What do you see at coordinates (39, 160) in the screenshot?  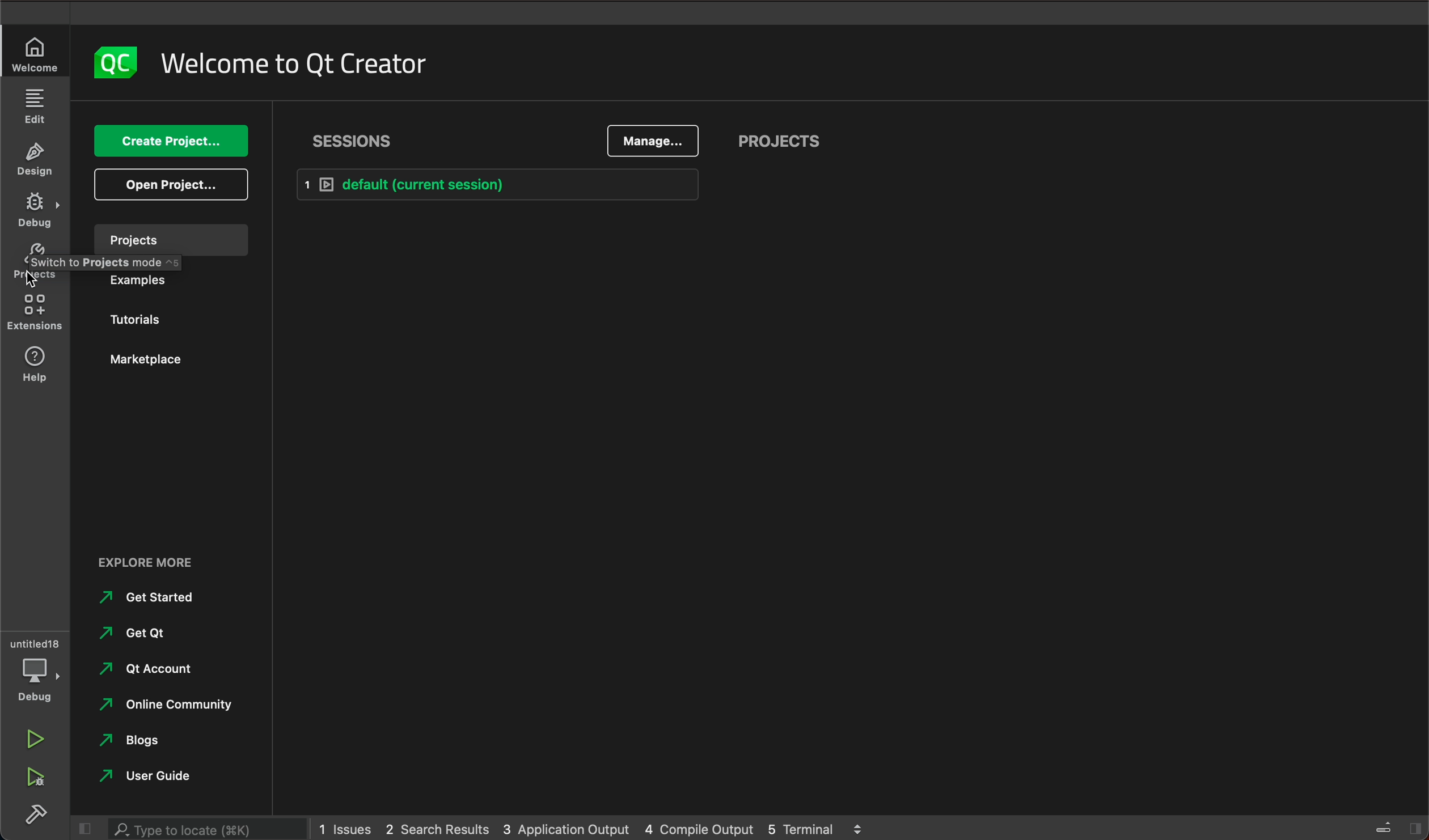 I see `DESIGN` at bounding box center [39, 160].